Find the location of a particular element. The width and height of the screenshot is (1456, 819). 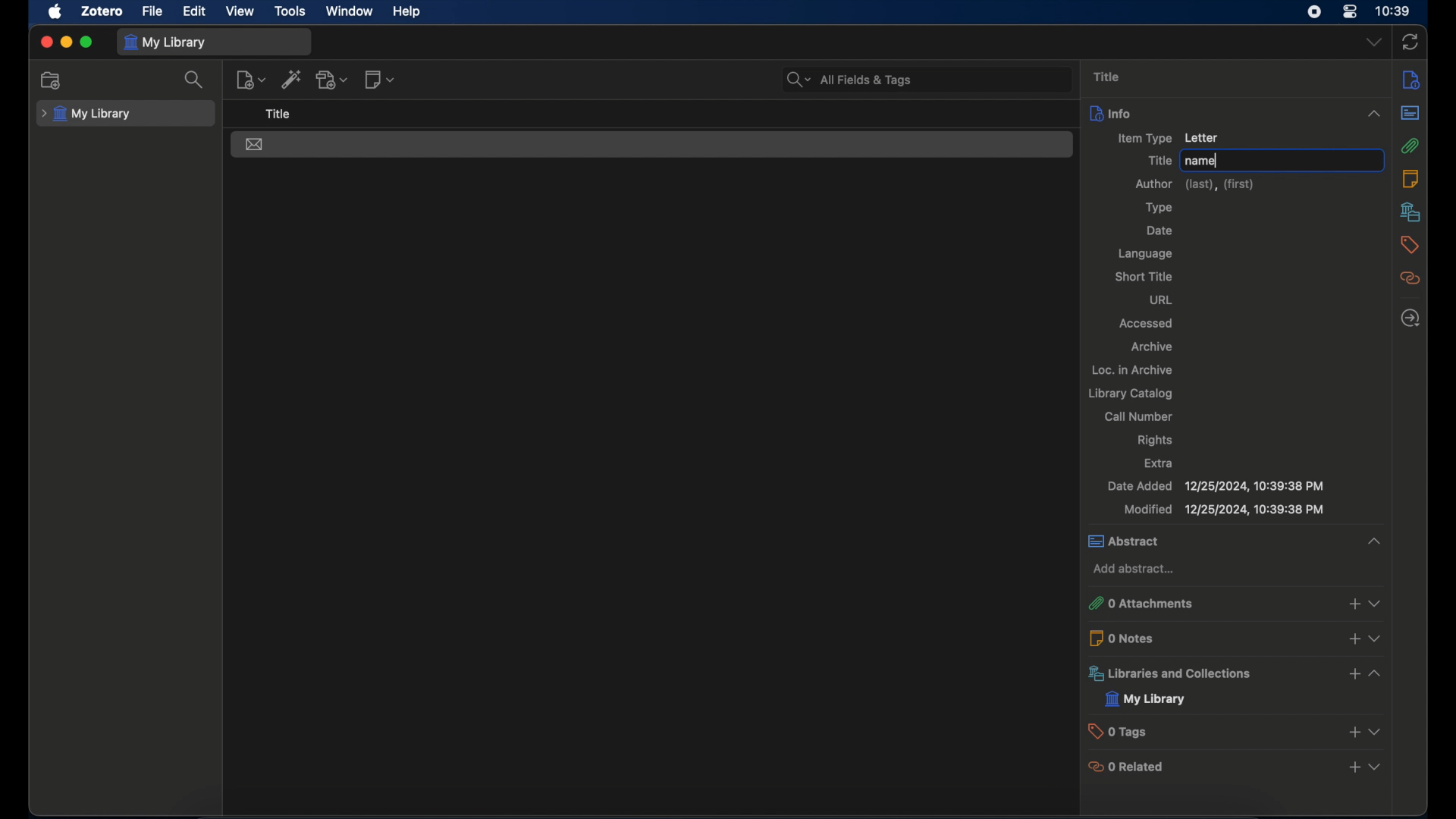

info is located at coordinates (1411, 80).